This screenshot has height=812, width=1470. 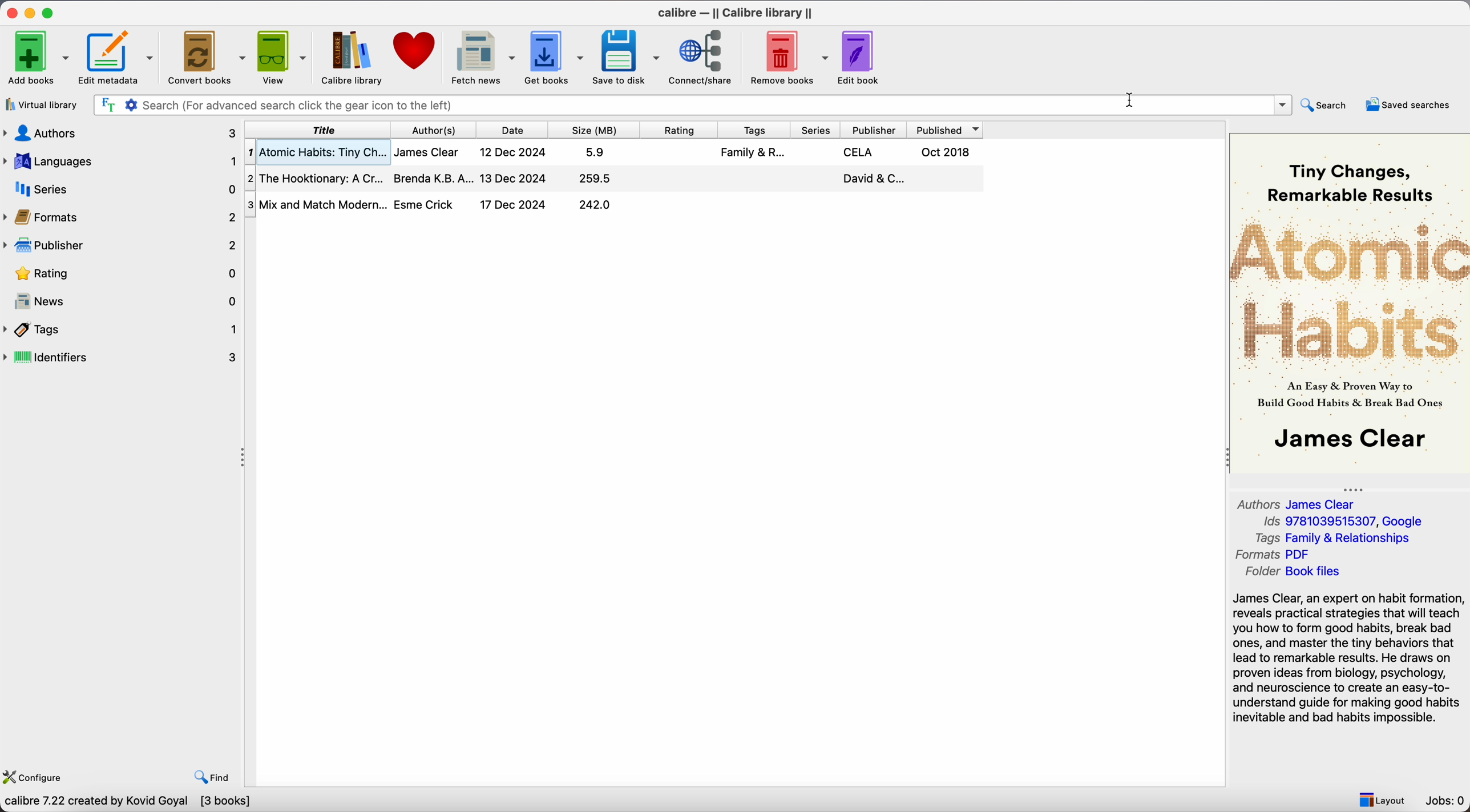 I want to click on saved searches, so click(x=1408, y=103).